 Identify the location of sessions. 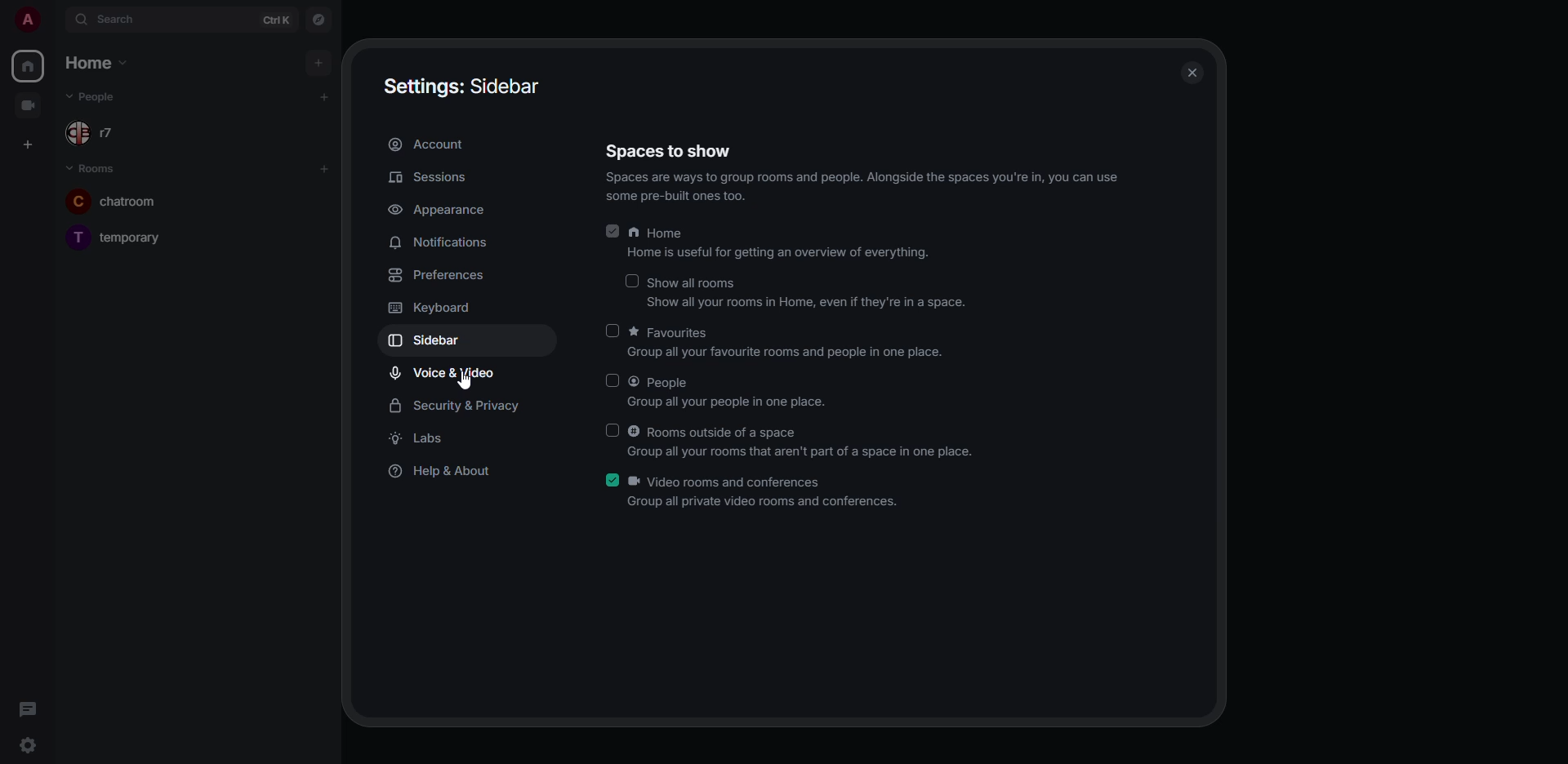
(434, 178).